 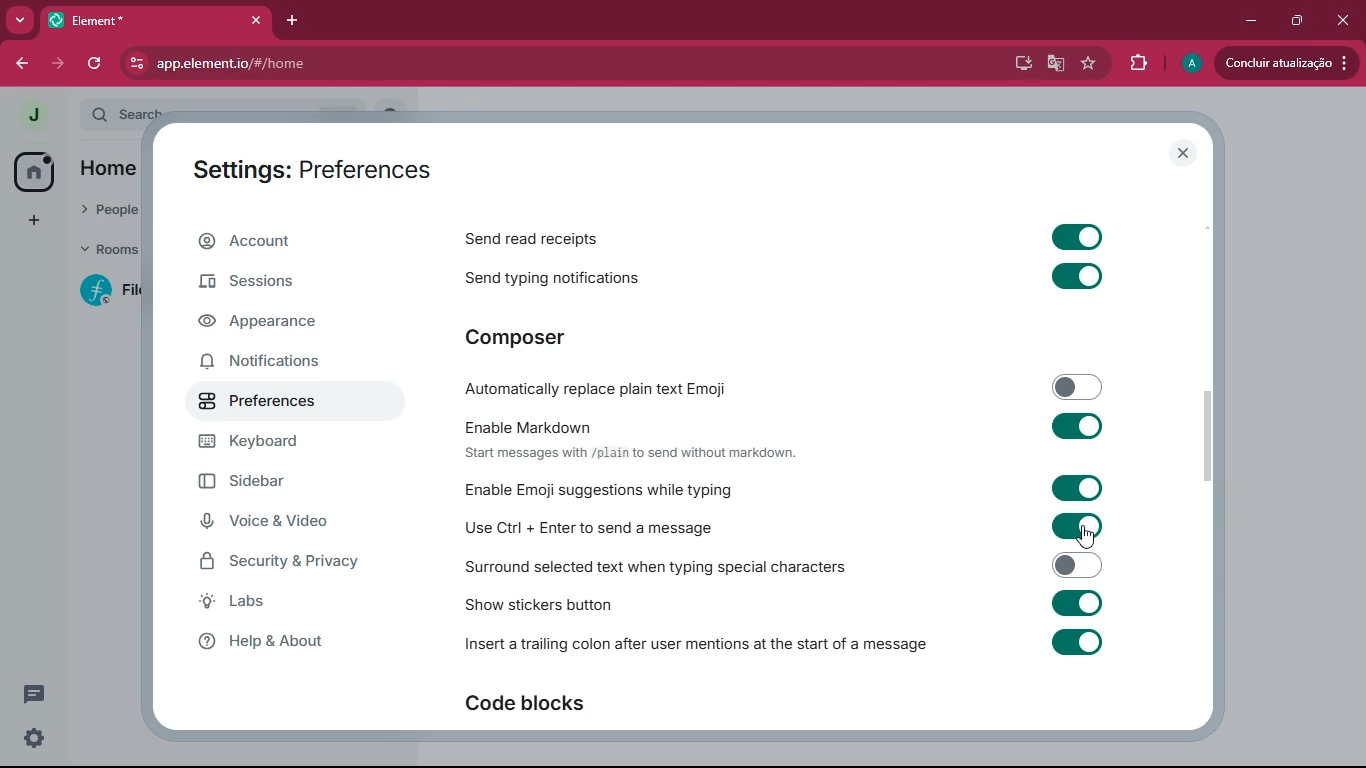 What do you see at coordinates (99, 64) in the screenshot?
I see `refresh` at bounding box center [99, 64].